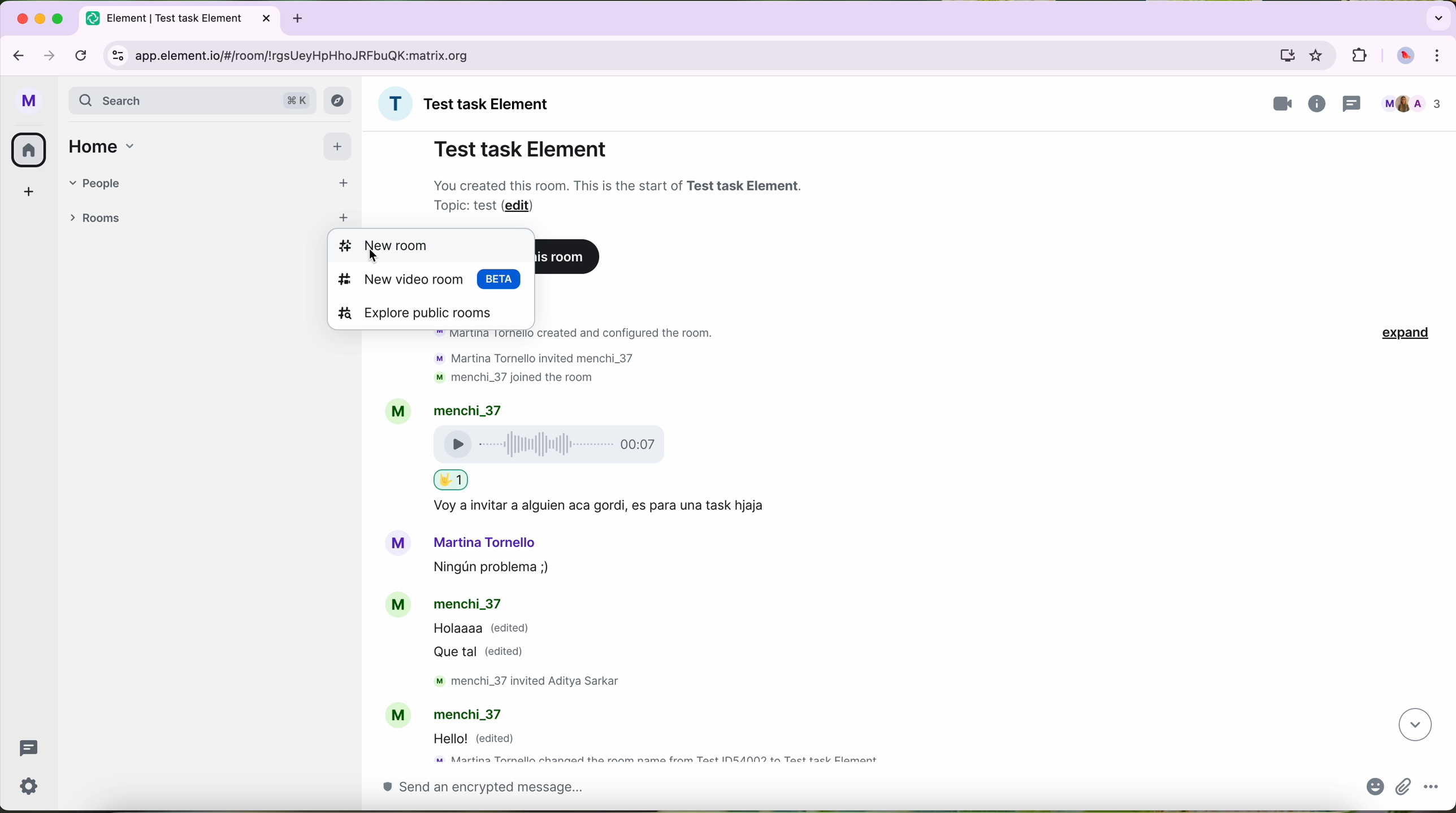  I want to click on message, so click(502, 569).